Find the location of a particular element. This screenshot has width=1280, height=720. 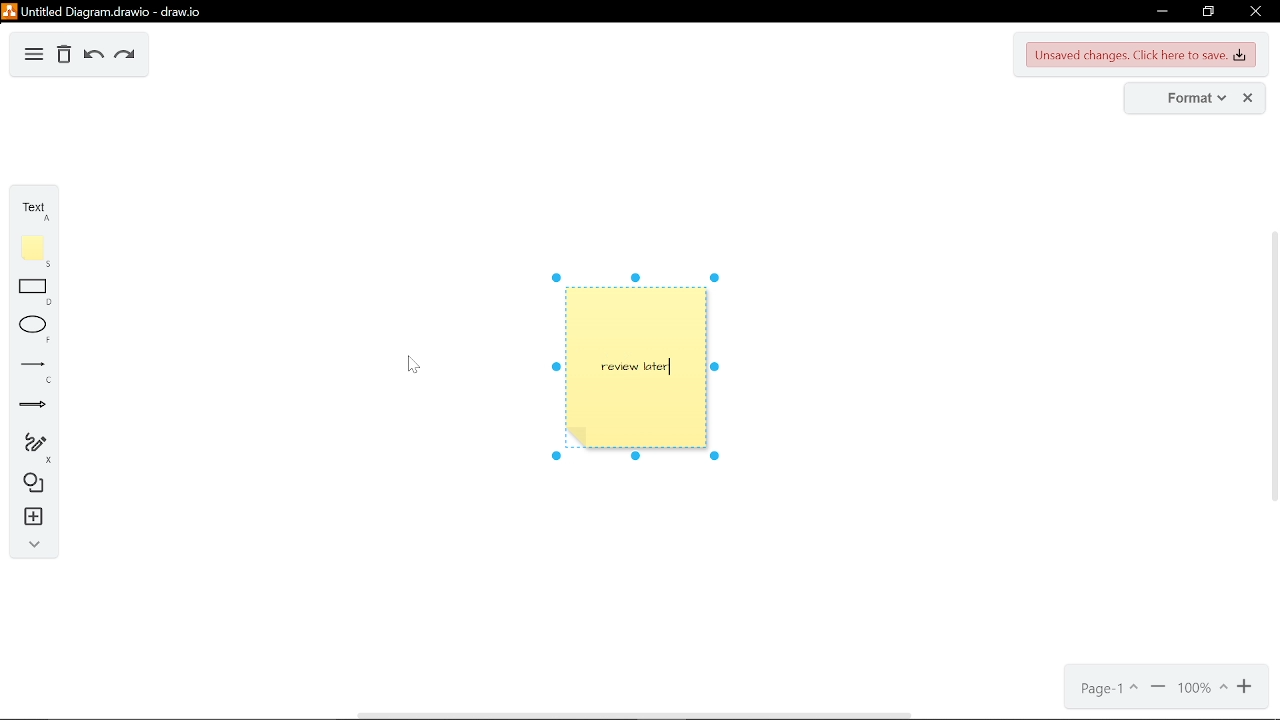

current zoom is located at coordinates (1202, 690).